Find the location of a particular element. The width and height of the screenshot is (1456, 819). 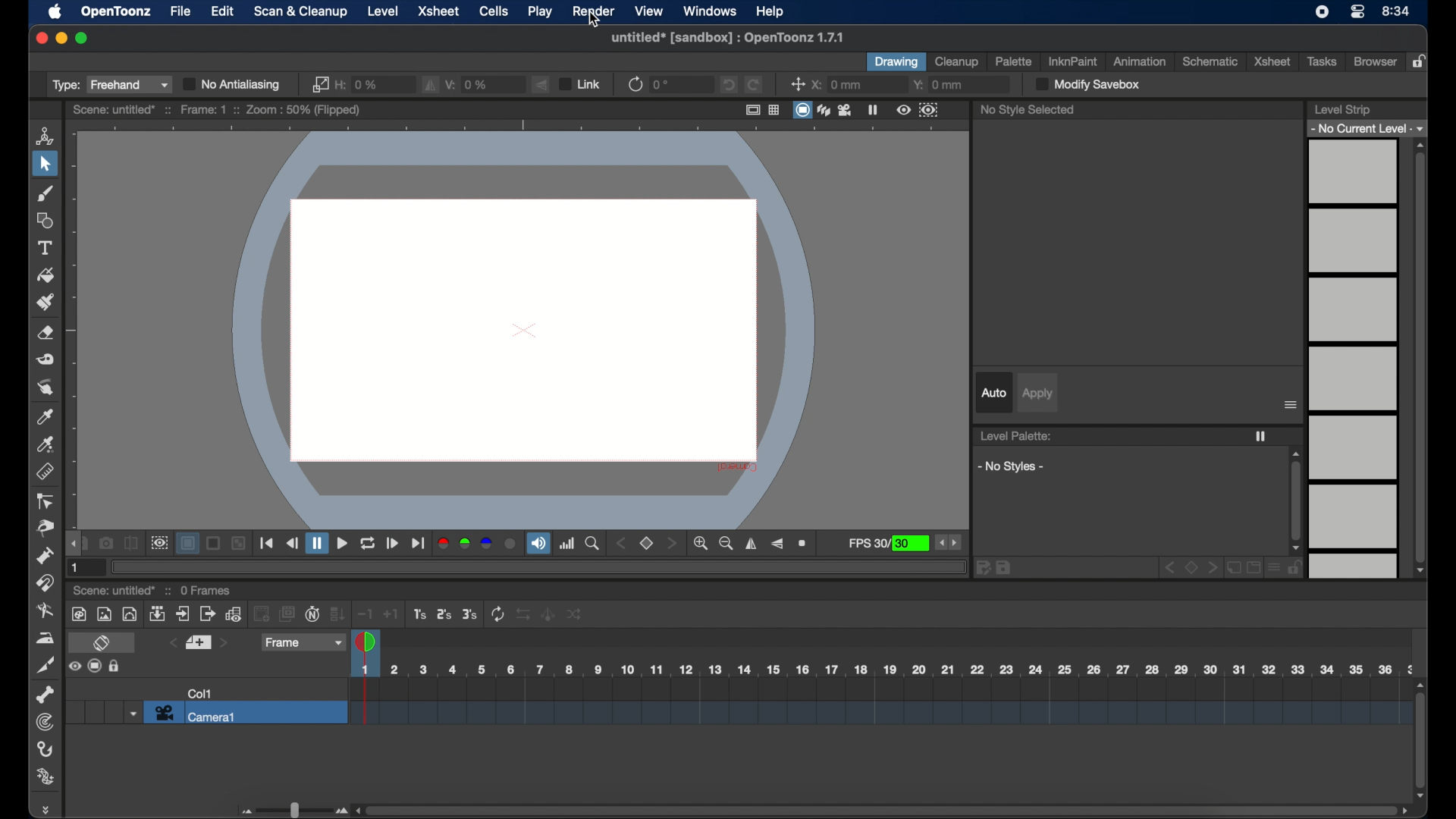

refresh is located at coordinates (634, 83).